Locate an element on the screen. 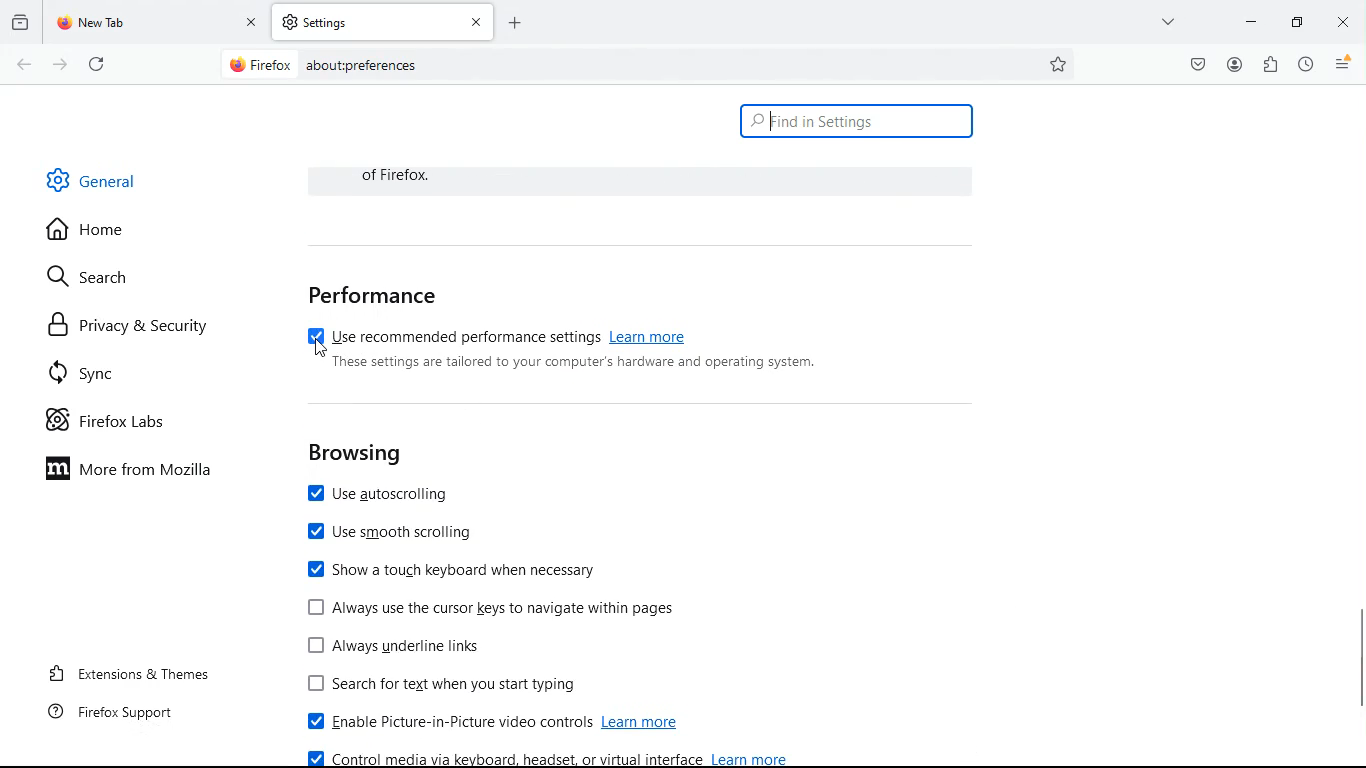  refresh is located at coordinates (97, 63).